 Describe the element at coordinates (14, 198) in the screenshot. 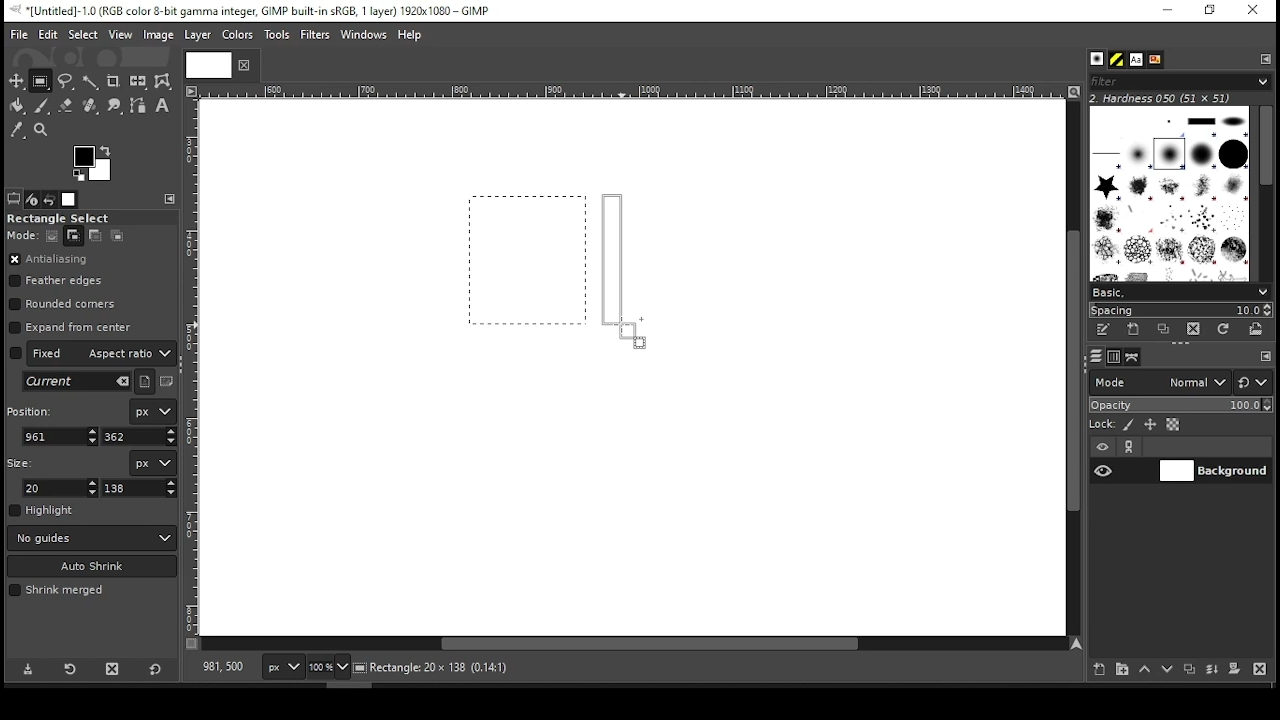

I see `tool options` at that location.